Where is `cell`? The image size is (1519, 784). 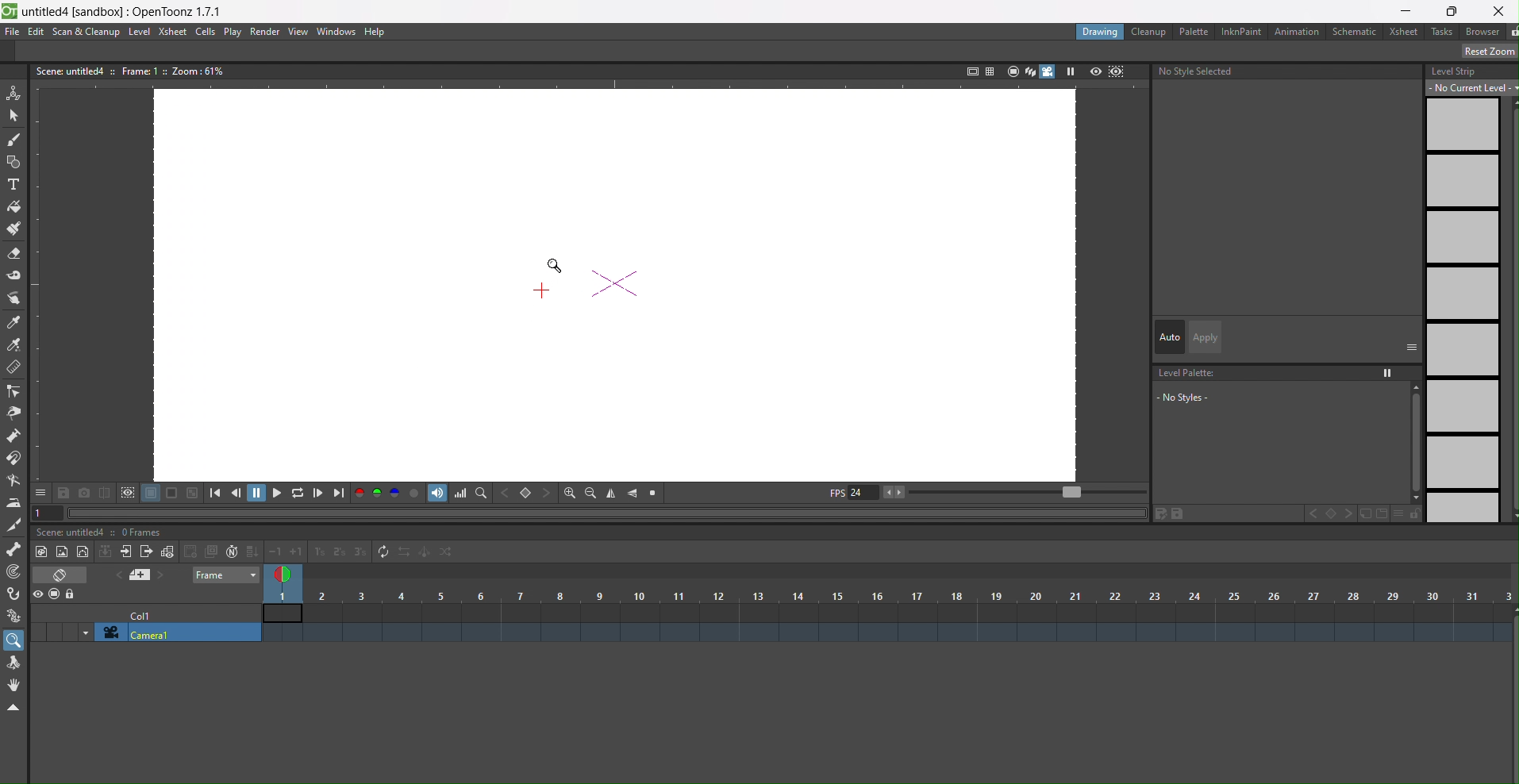 cell is located at coordinates (145, 617).